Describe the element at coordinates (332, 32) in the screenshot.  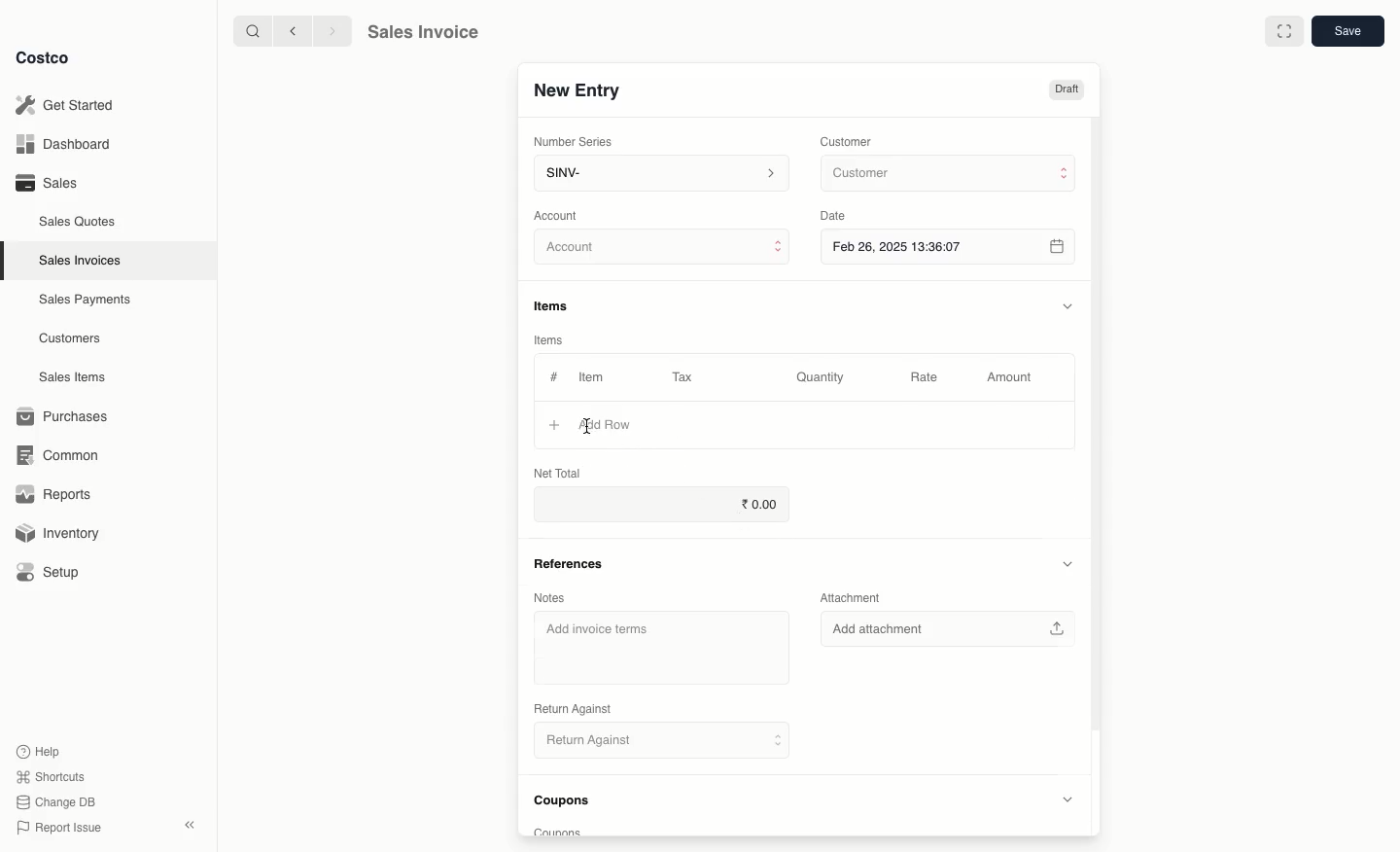
I see `Forward` at that location.